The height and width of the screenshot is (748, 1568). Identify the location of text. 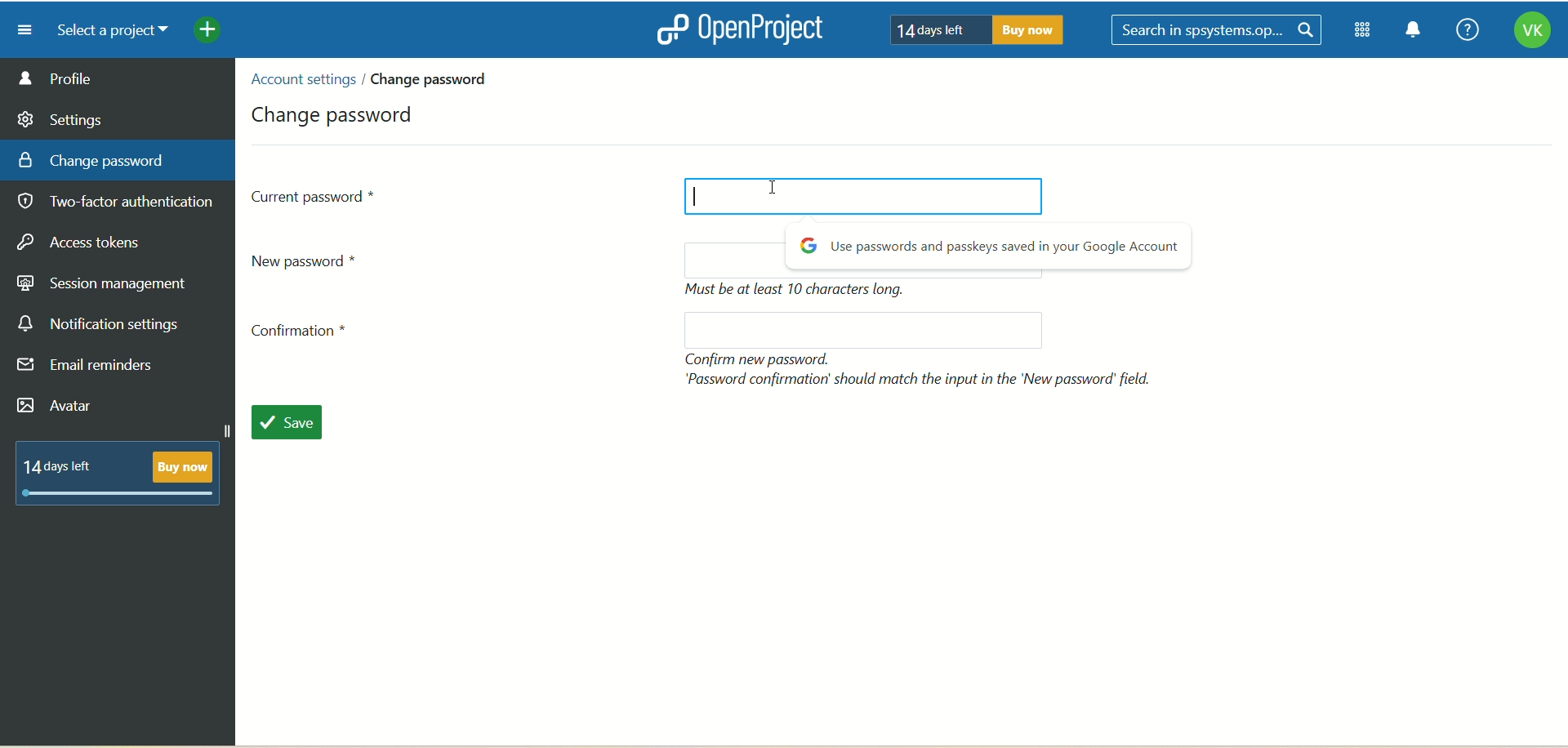
(922, 369).